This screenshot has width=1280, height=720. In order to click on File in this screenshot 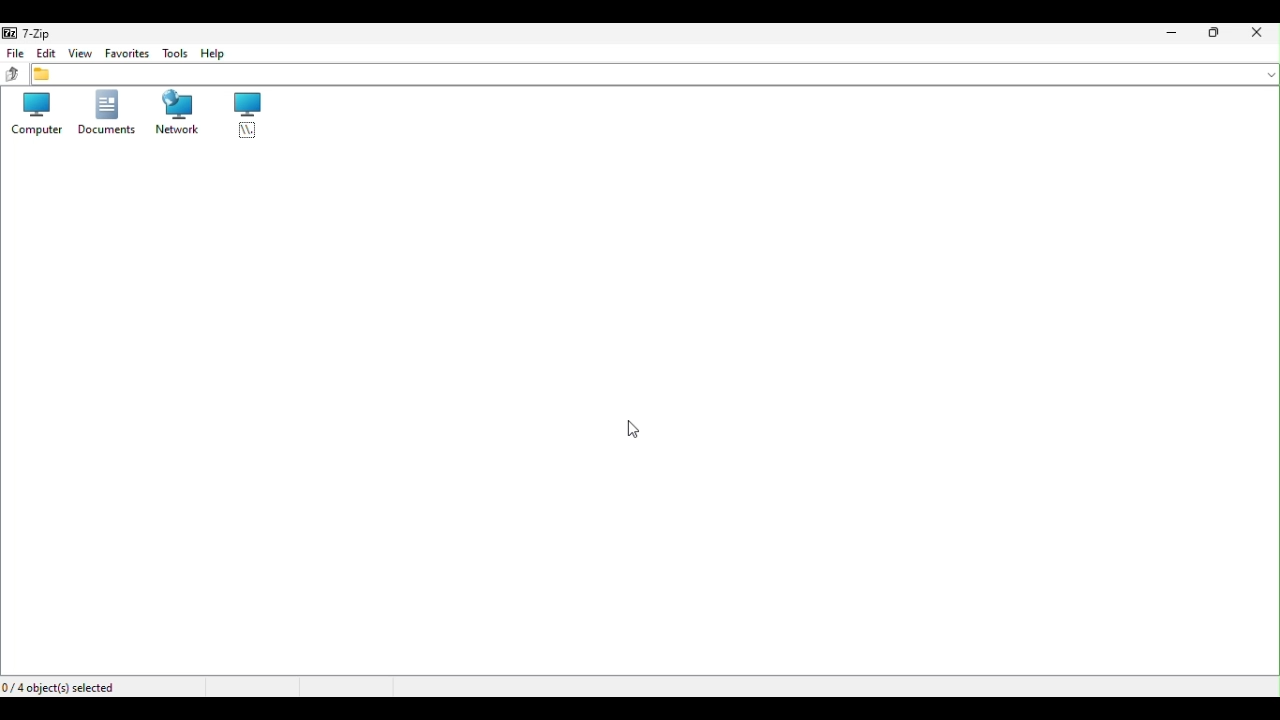, I will do `click(13, 52)`.